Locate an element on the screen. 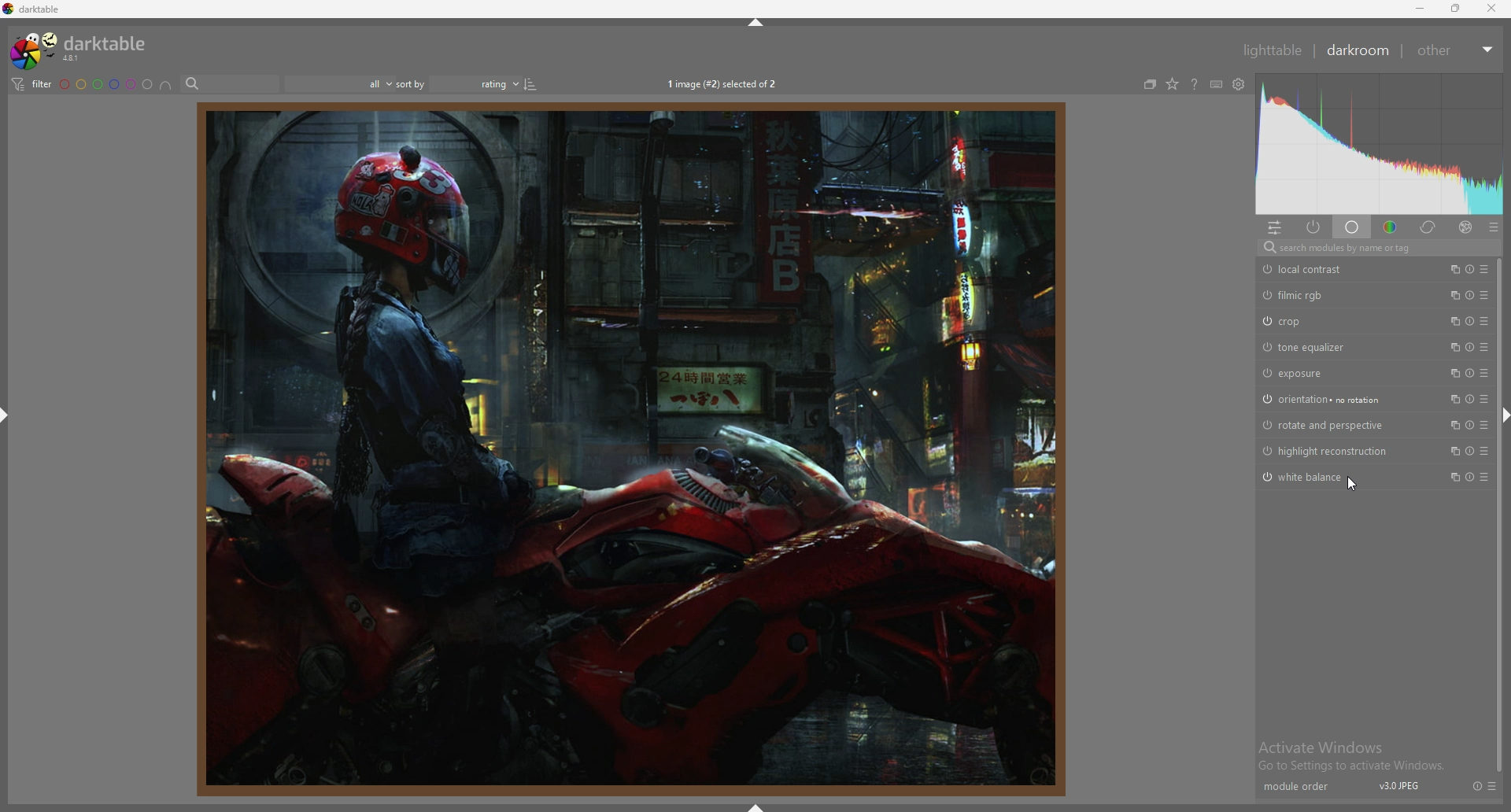 The image size is (1511, 812). multiple instances action is located at coordinates (1454, 294).